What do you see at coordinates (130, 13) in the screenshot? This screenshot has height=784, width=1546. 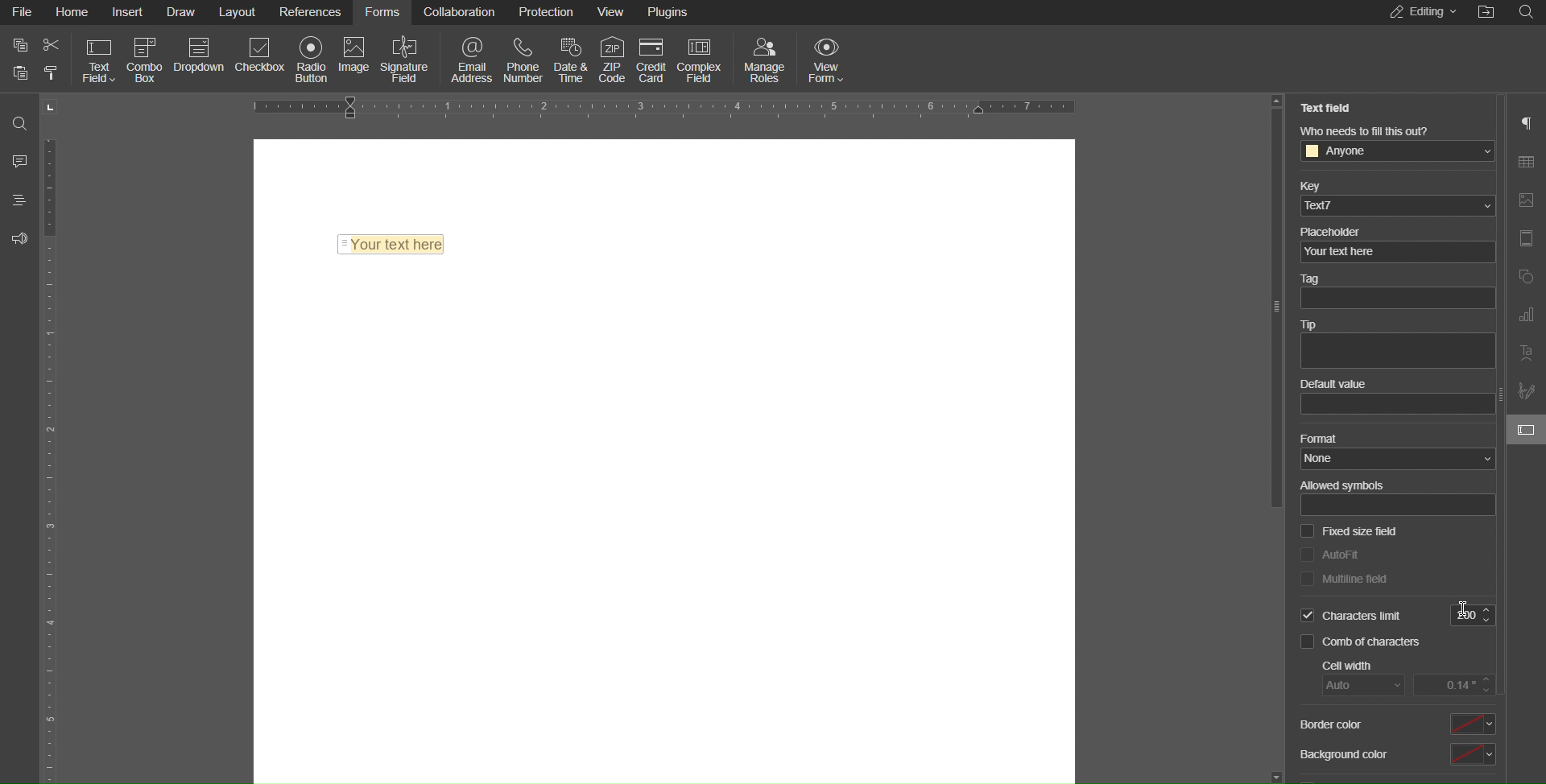 I see `Insert` at bounding box center [130, 13].